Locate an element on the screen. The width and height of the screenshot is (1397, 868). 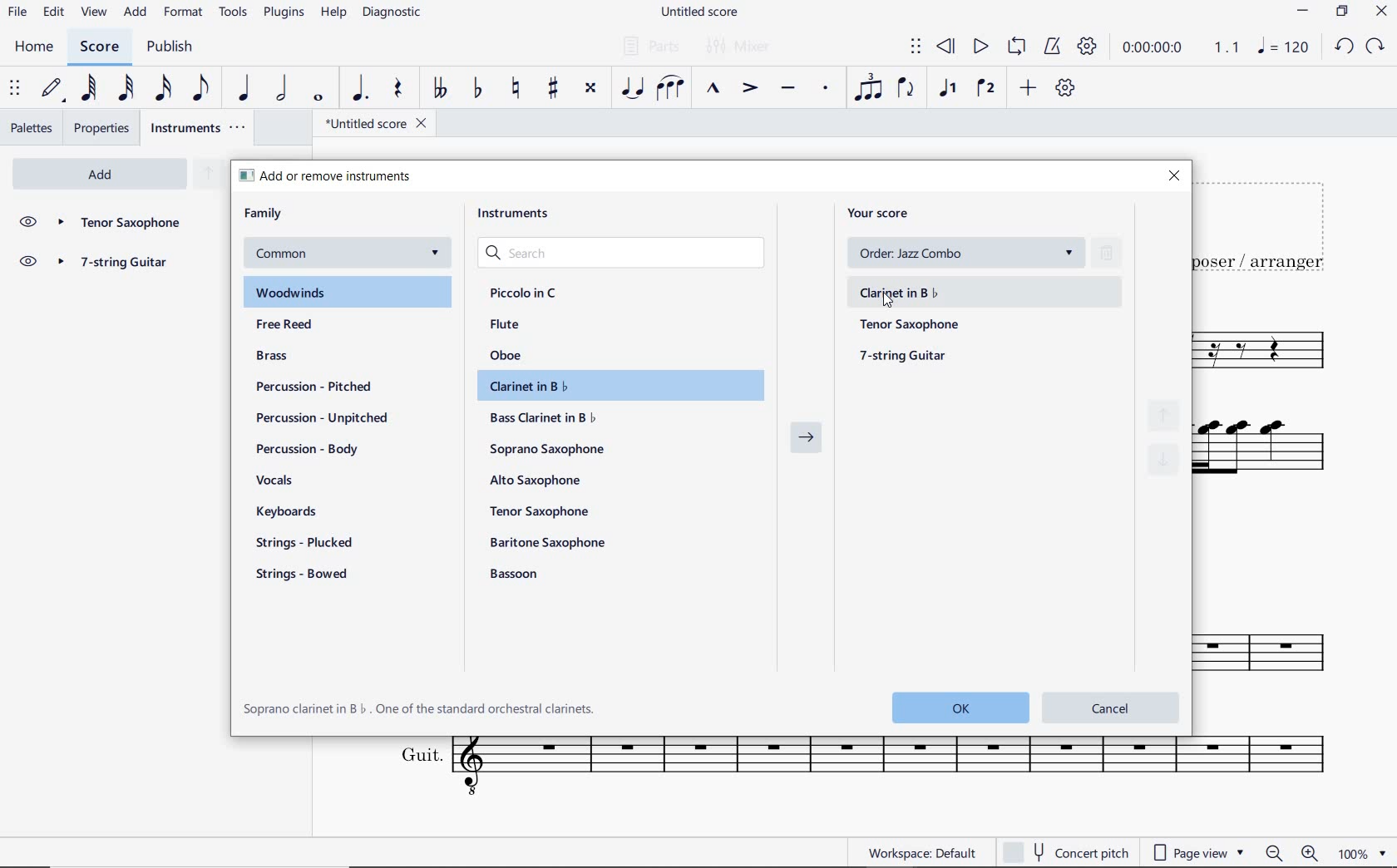
FILE NAME is located at coordinates (698, 13).